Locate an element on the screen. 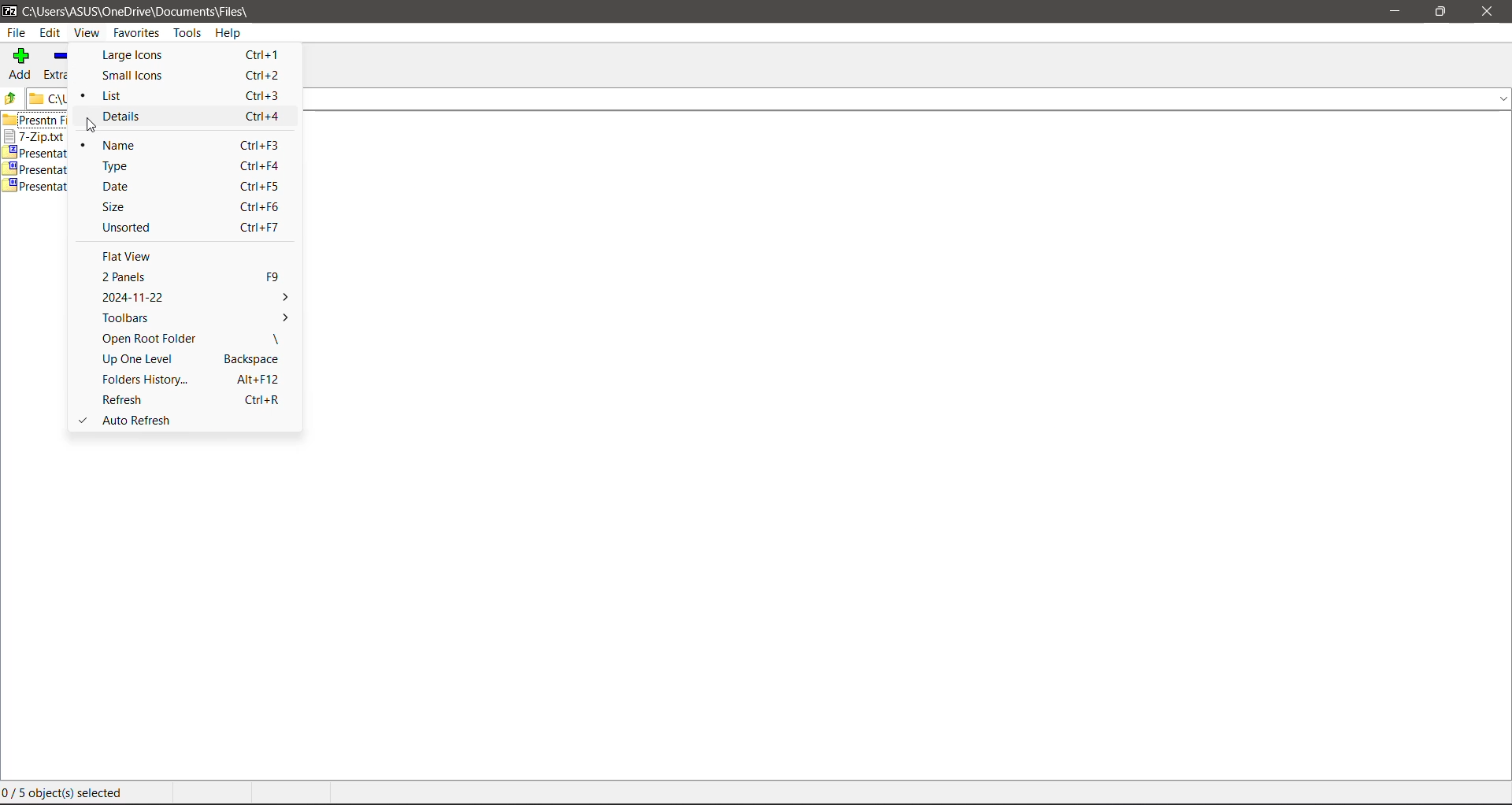 The image size is (1512, 805). Presentation1.zip is located at coordinates (46, 154).